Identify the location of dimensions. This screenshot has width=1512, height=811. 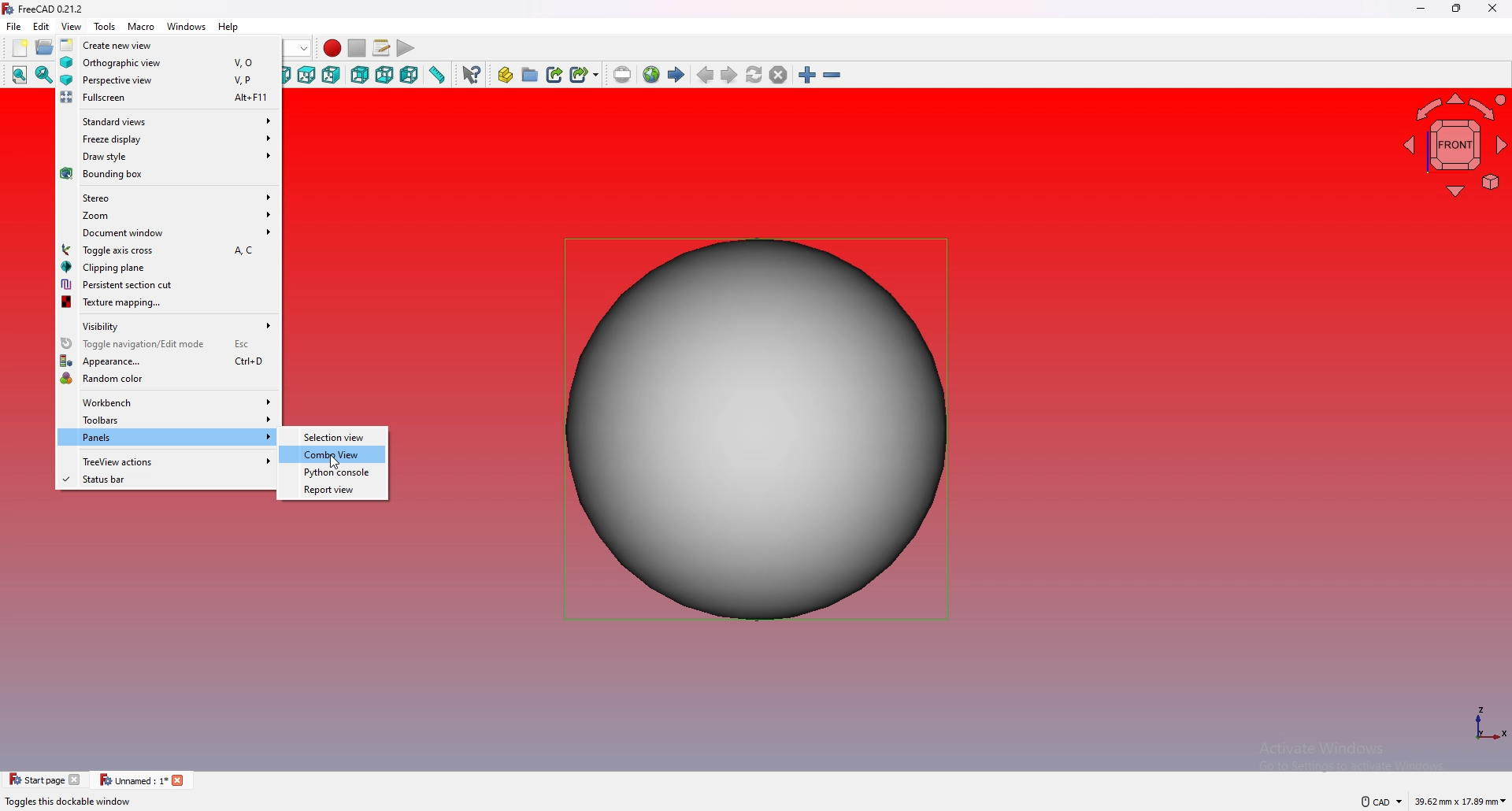
(1461, 802).